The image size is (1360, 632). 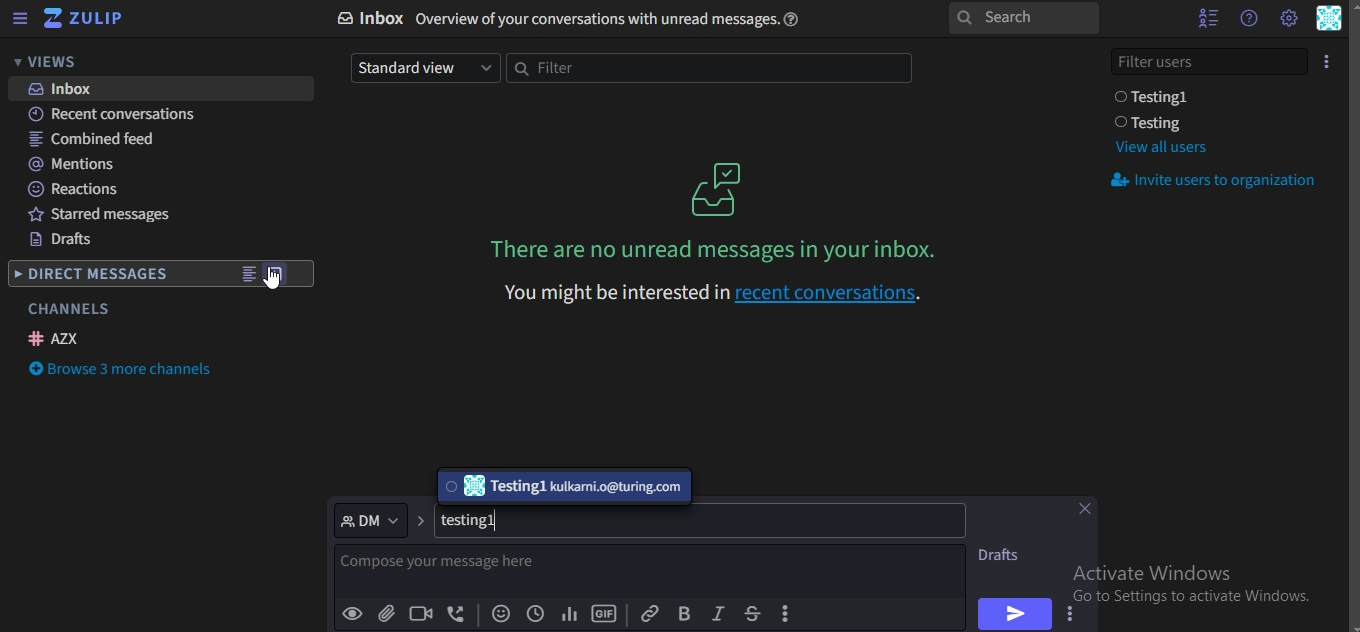 What do you see at coordinates (706, 69) in the screenshot?
I see `filter` at bounding box center [706, 69].